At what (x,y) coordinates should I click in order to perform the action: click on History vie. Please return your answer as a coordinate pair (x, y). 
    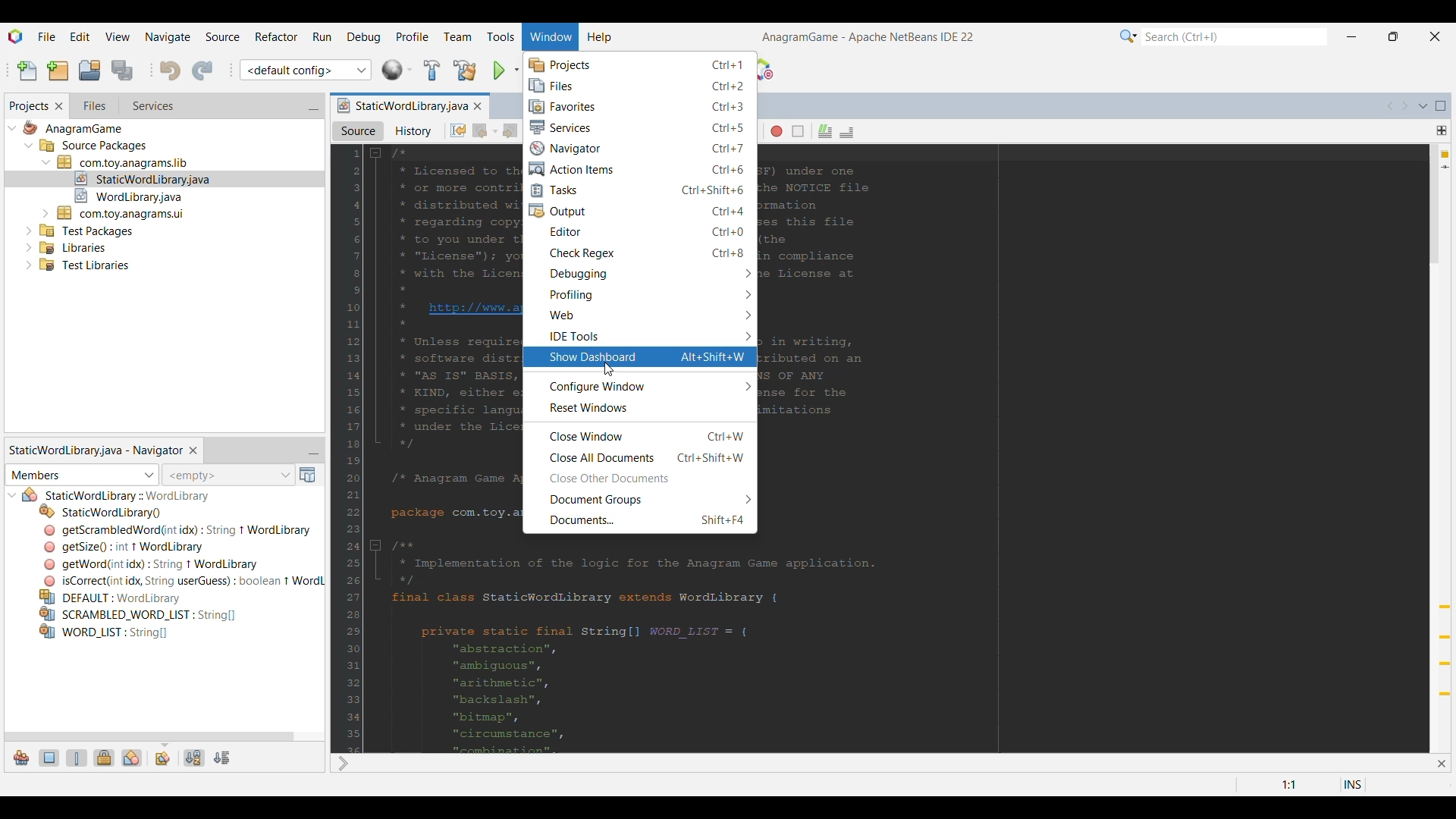
    Looking at the image, I should click on (414, 131).